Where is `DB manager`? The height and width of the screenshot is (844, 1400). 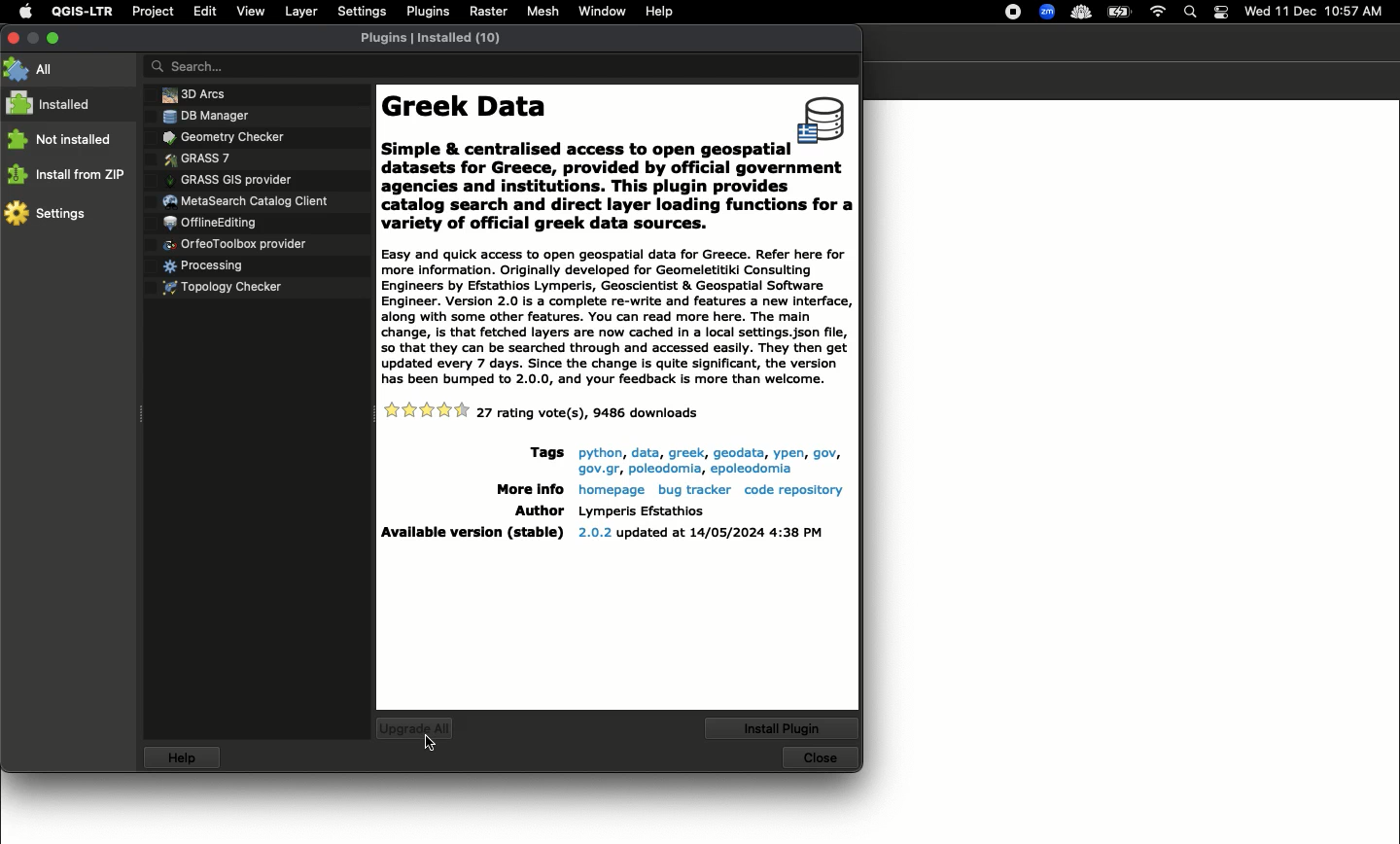 DB manager is located at coordinates (201, 116).